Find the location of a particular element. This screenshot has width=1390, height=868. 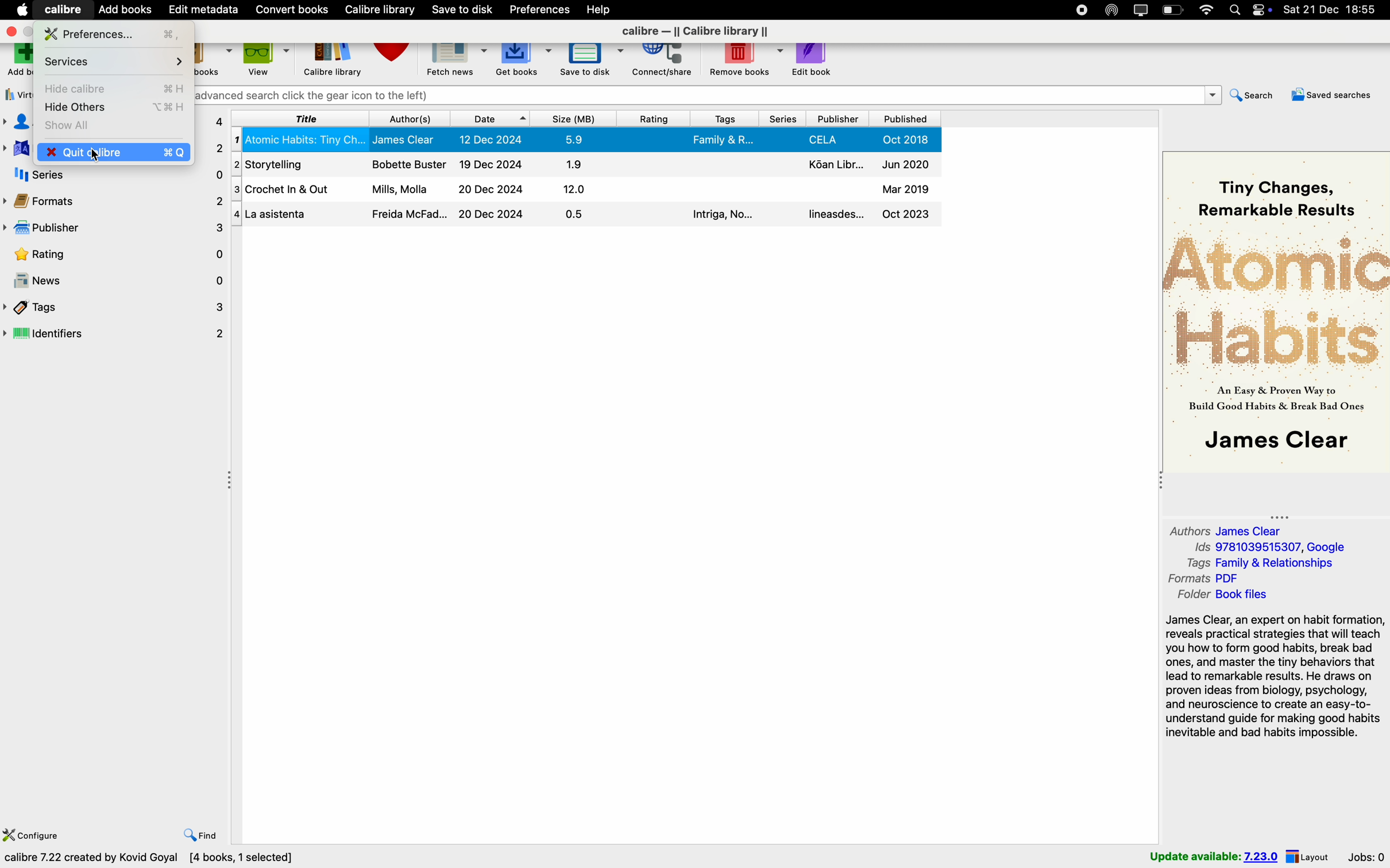

title is located at coordinates (302, 118).